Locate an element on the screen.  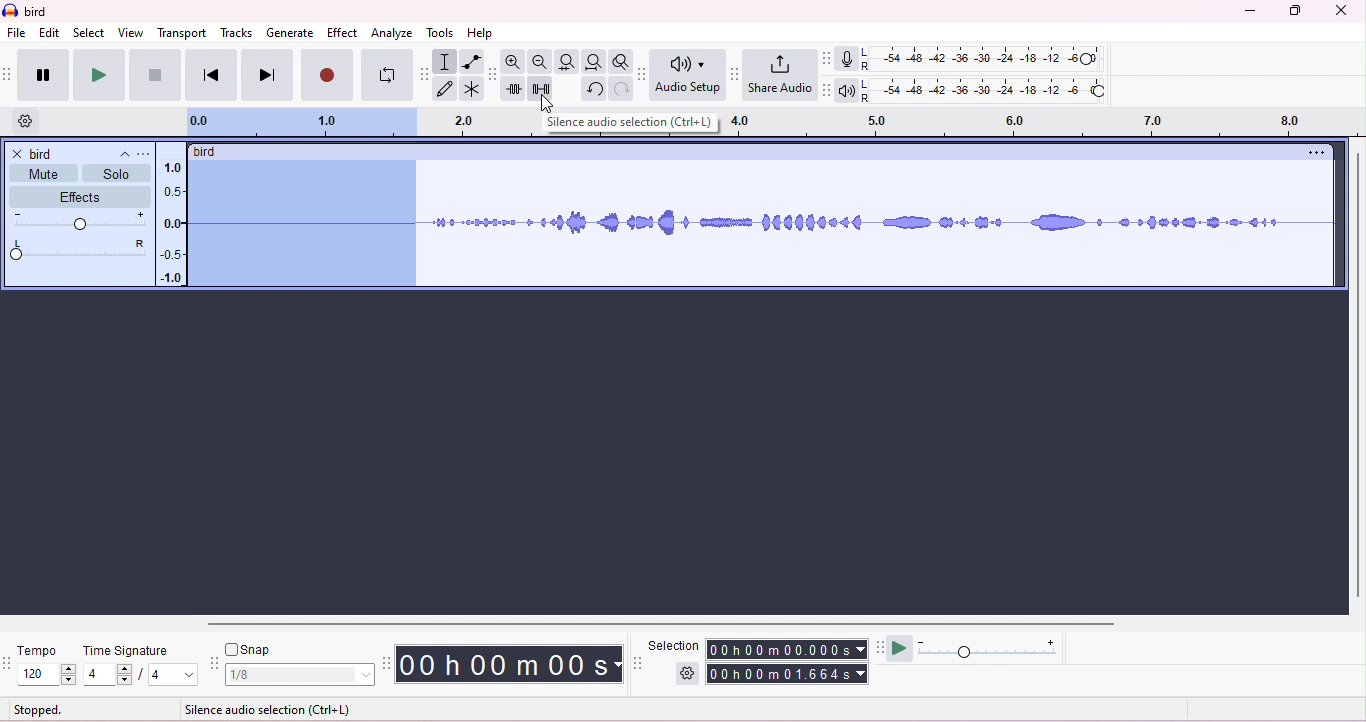
minimize is located at coordinates (1247, 13).